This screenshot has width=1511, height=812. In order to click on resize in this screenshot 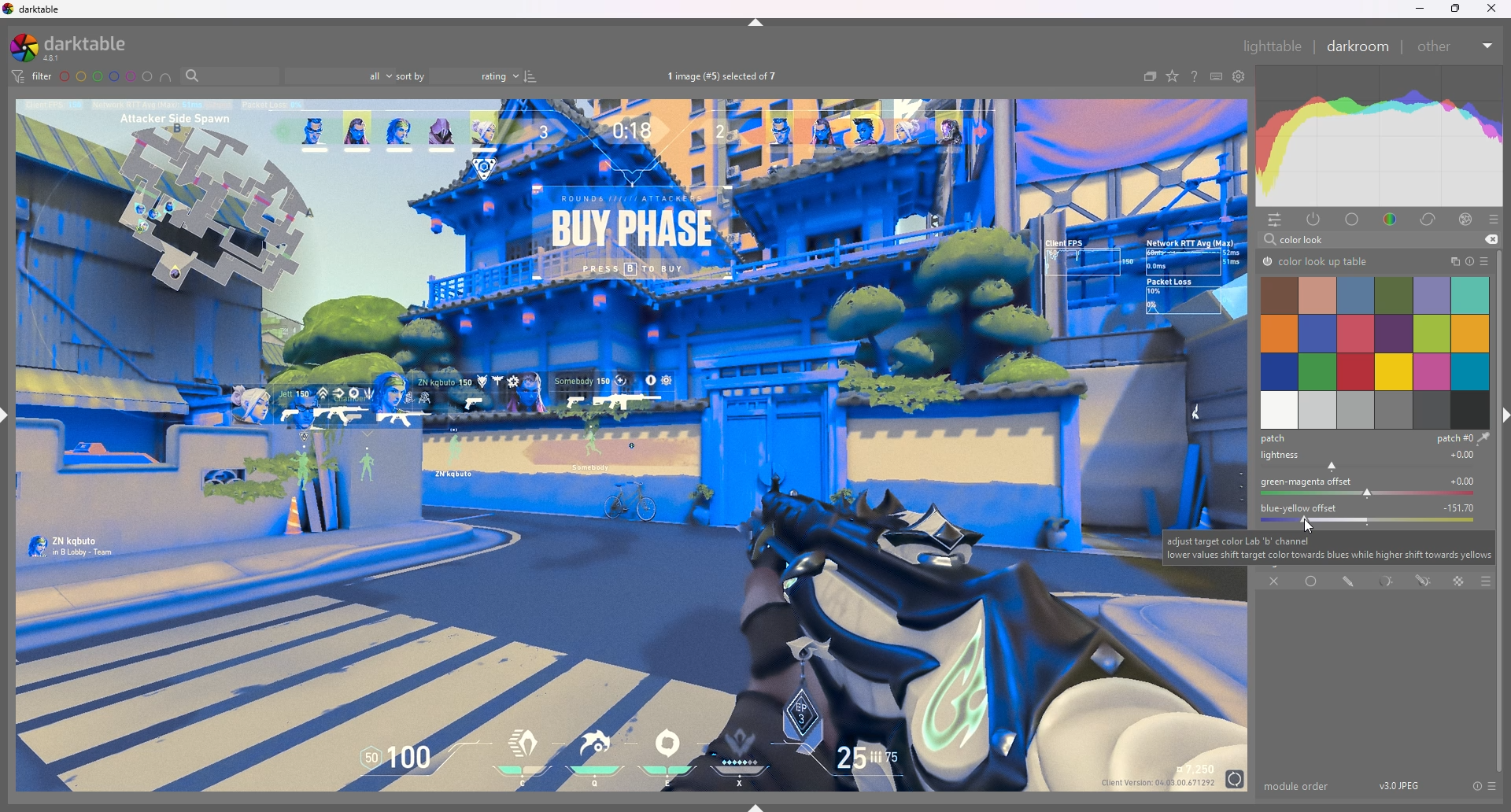, I will do `click(1455, 9)`.